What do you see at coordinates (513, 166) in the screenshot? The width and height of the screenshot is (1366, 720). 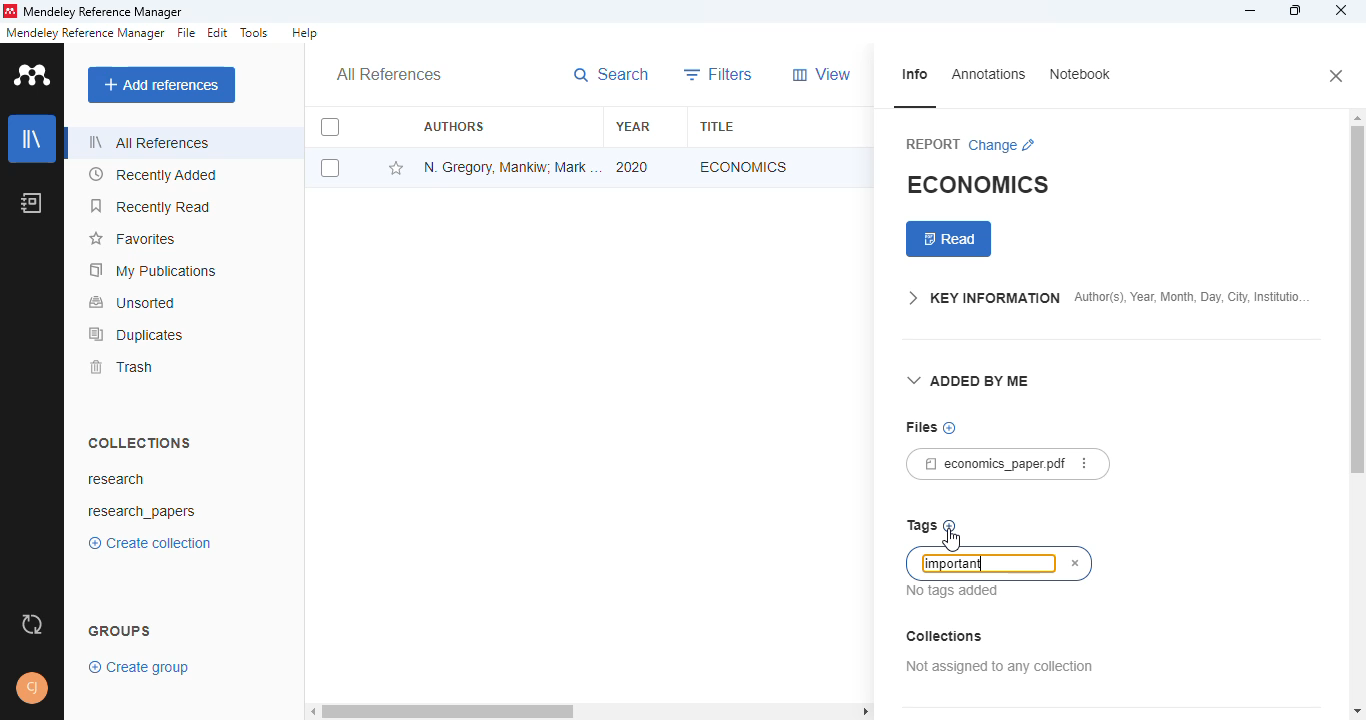 I see `N. Gregory Mankiw, Mark P. Taylor` at bounding box center [513, 166].